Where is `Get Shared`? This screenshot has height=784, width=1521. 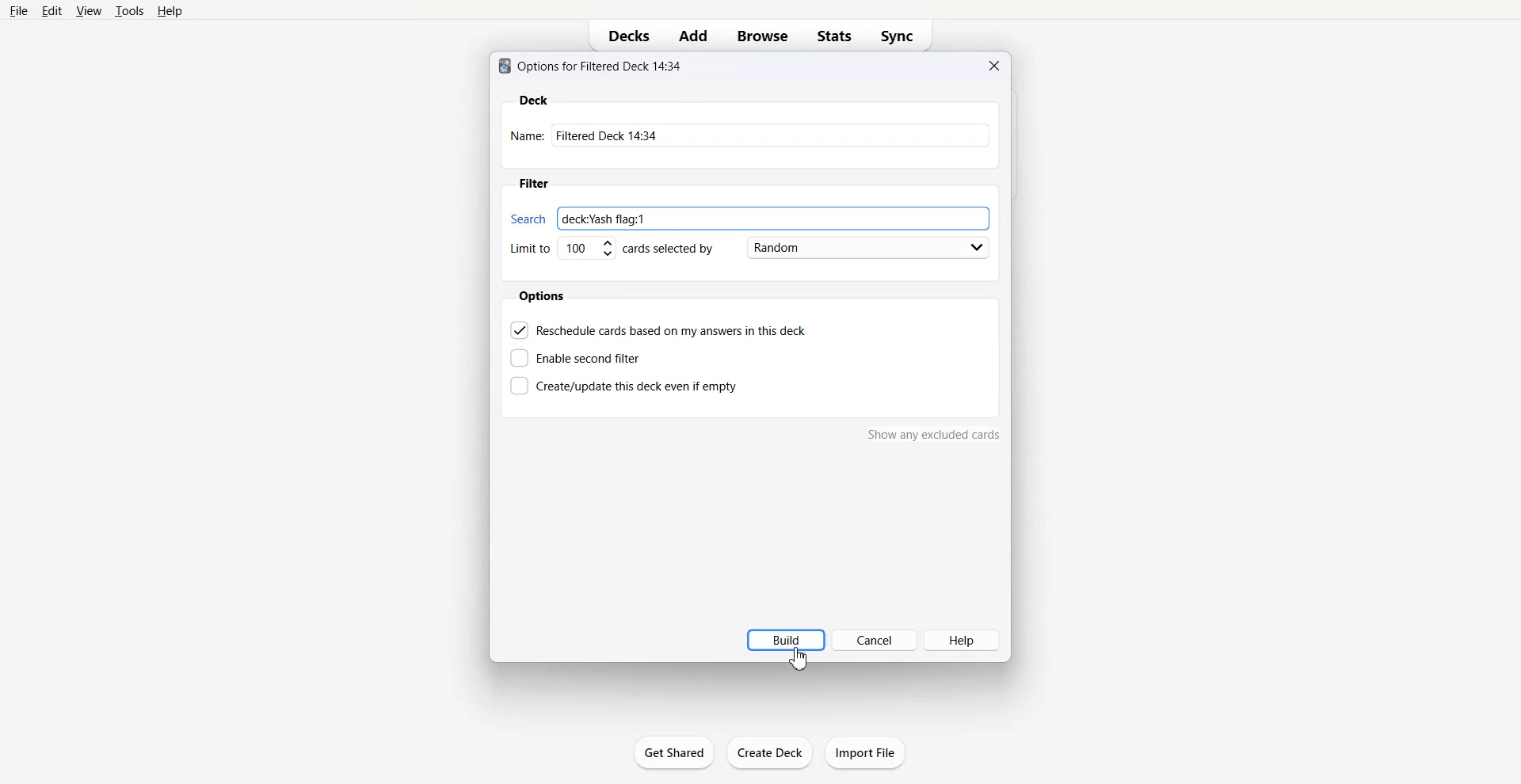
Get Shared is located at coordinates (674, 752).